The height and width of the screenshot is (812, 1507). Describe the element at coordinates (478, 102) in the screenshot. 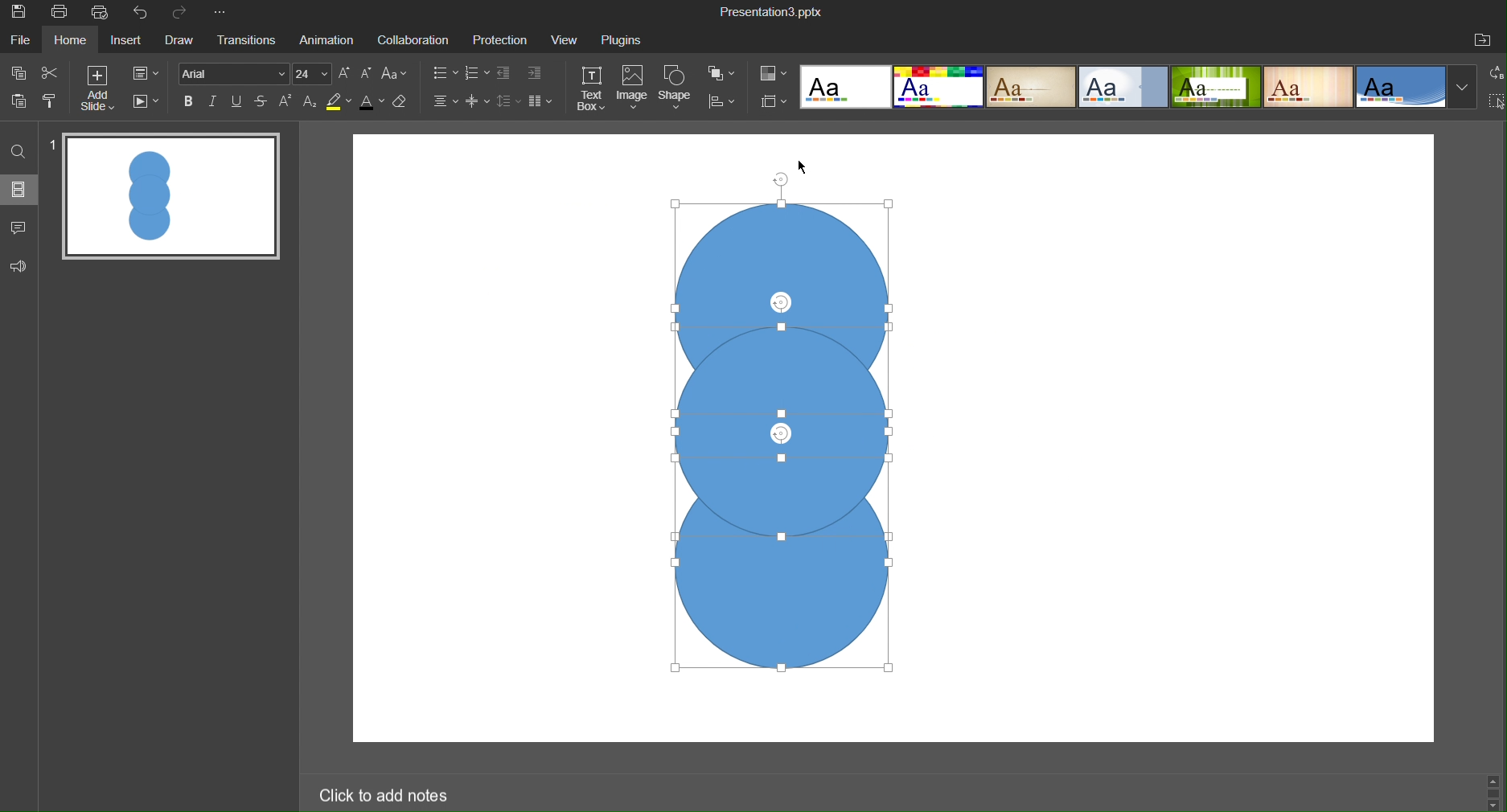

I see `Vertical Align` at that location.